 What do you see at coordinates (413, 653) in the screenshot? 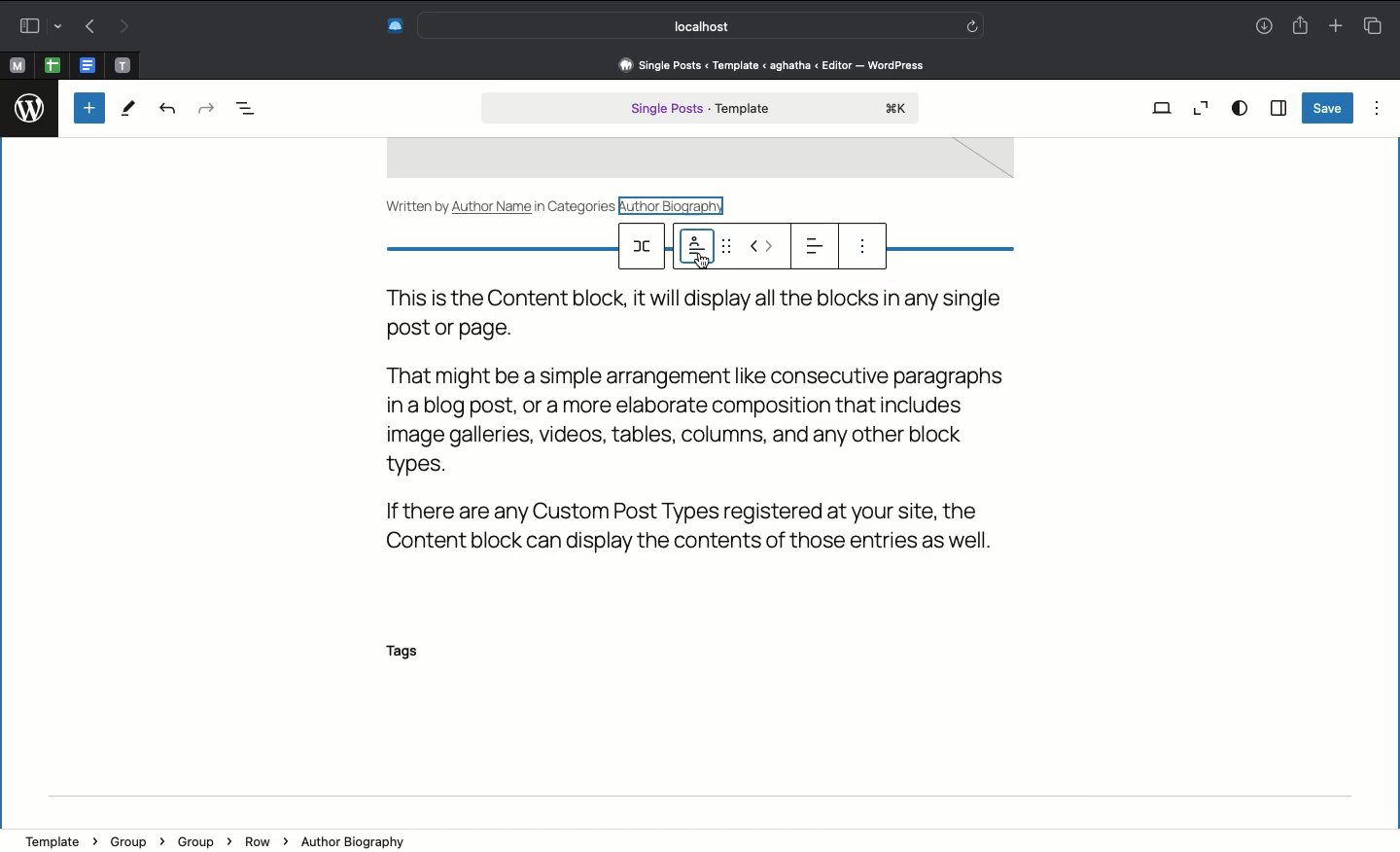
I see `Tags` at bounding box center [413, 653].